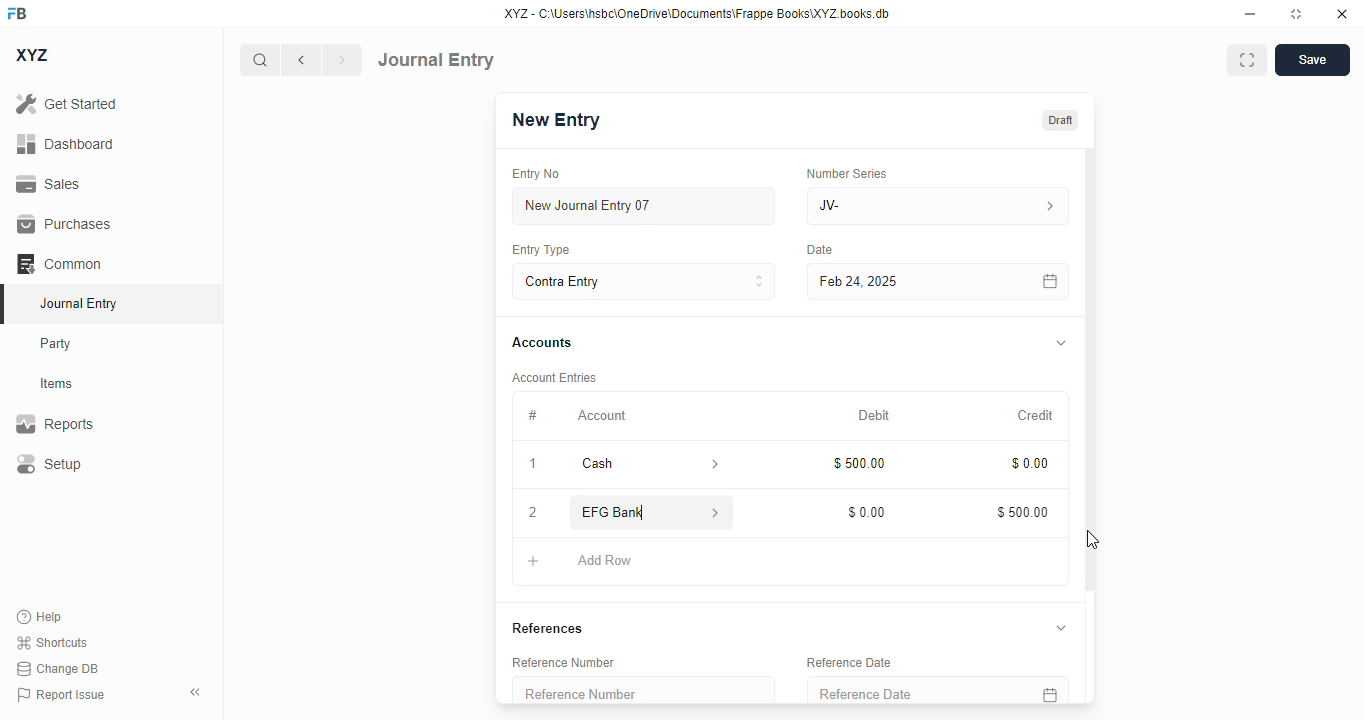 The image size is (1364, 720). Describe the element at coordinates (605, 561) in the screenshot. I see `add row` at that location.